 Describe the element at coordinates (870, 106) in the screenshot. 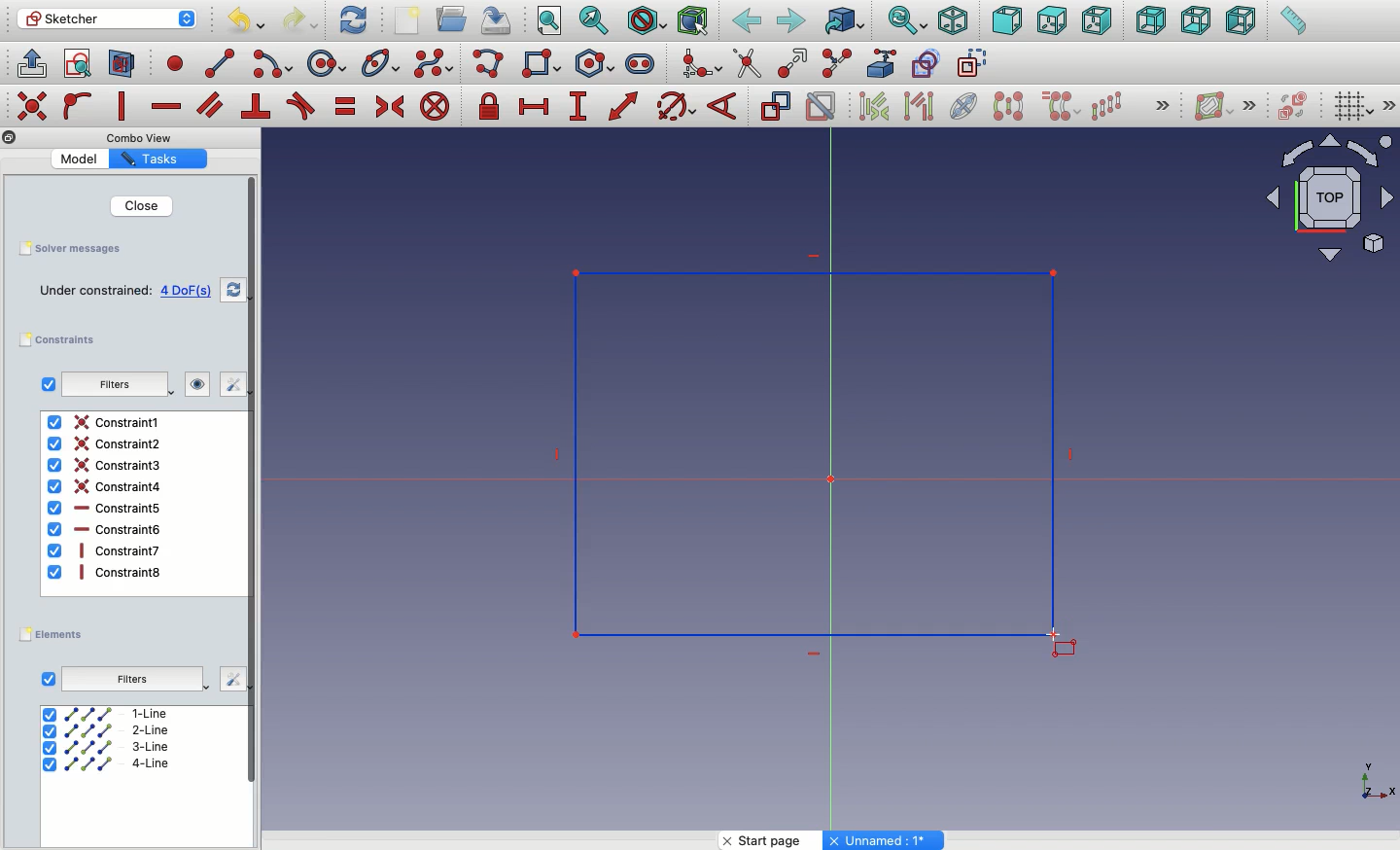

I see `Select associated constrains` at that location.